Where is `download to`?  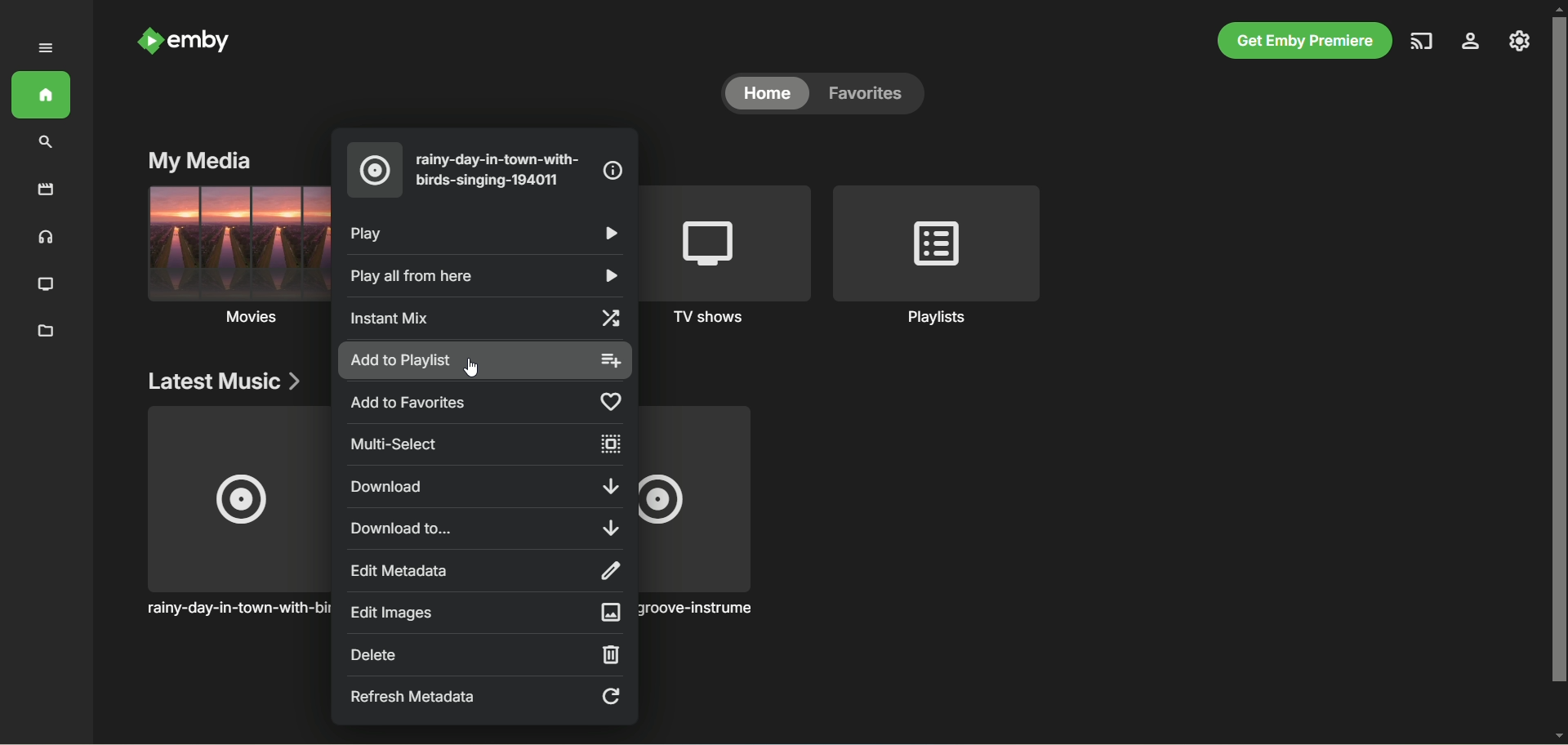 download to is located at coordinates (482, 528).